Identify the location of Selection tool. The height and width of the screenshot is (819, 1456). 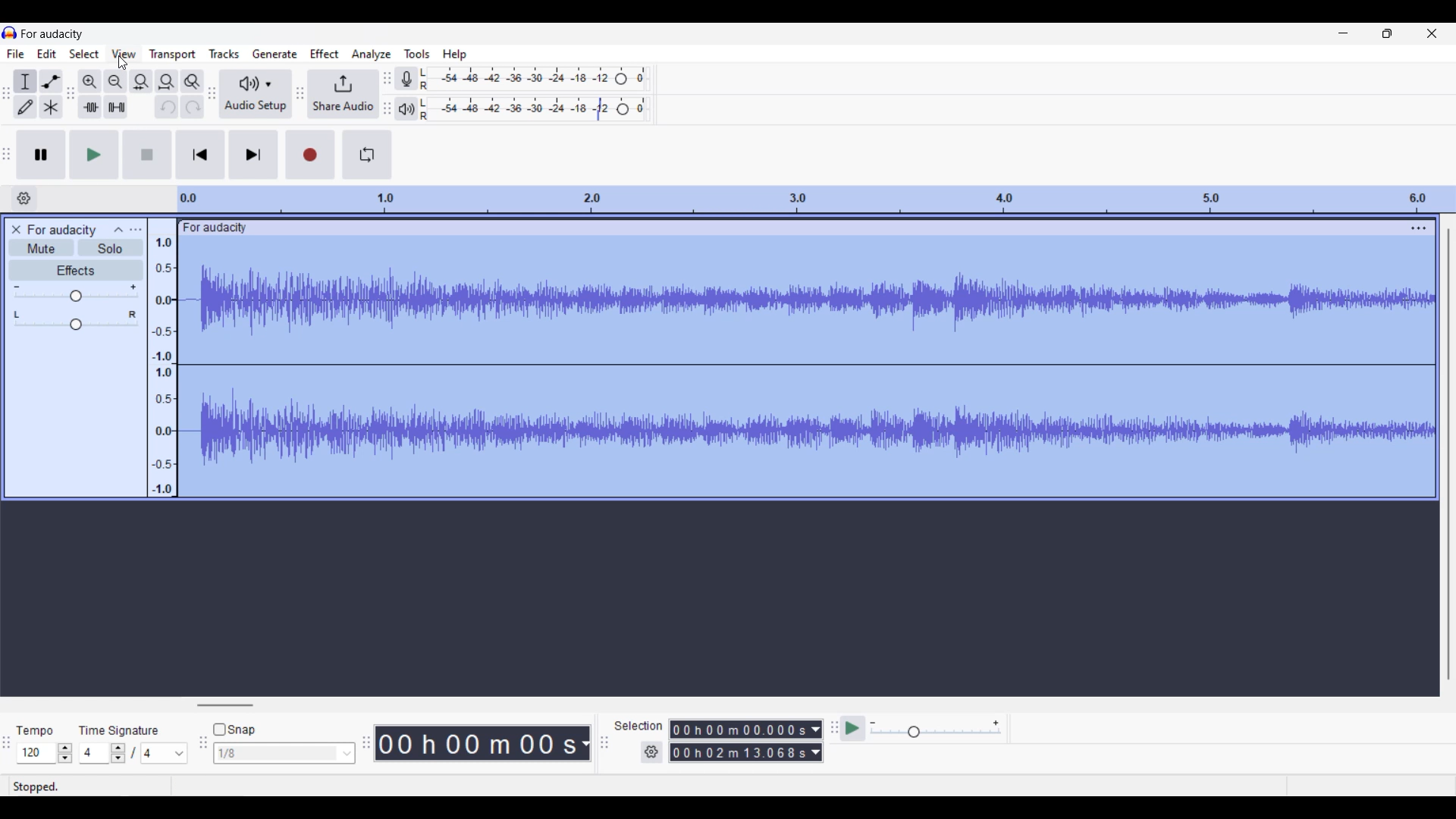
(25, 81).